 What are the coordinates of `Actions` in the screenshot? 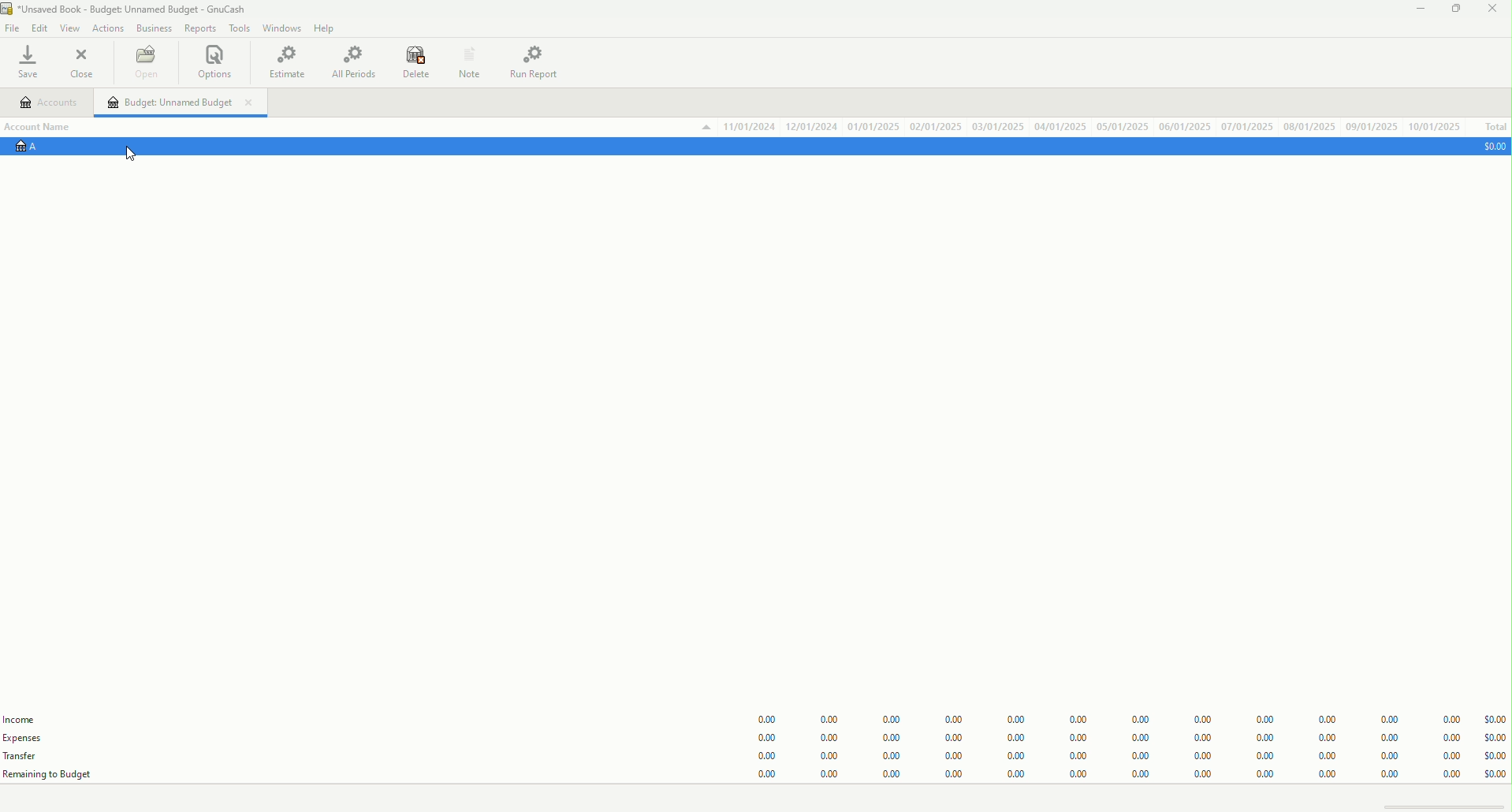 It's located at (109, 28).